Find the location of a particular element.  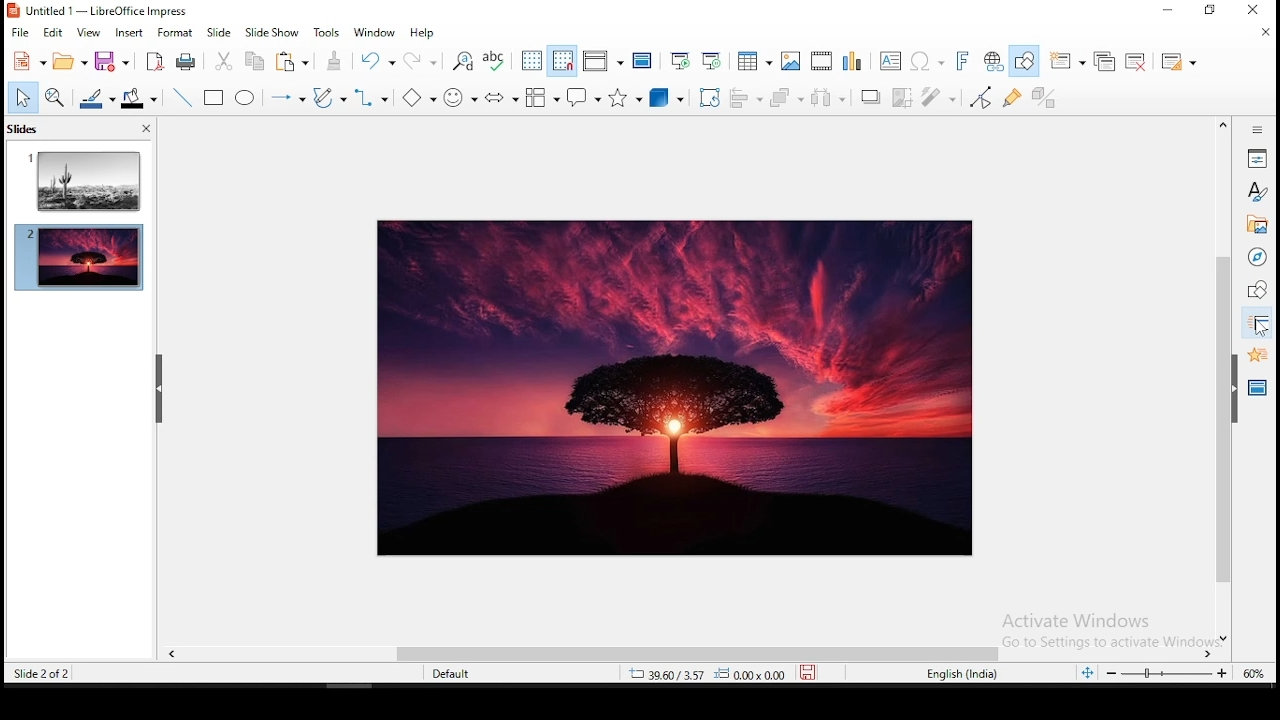

acrobat as pdf is located at coordinates (153, 61).